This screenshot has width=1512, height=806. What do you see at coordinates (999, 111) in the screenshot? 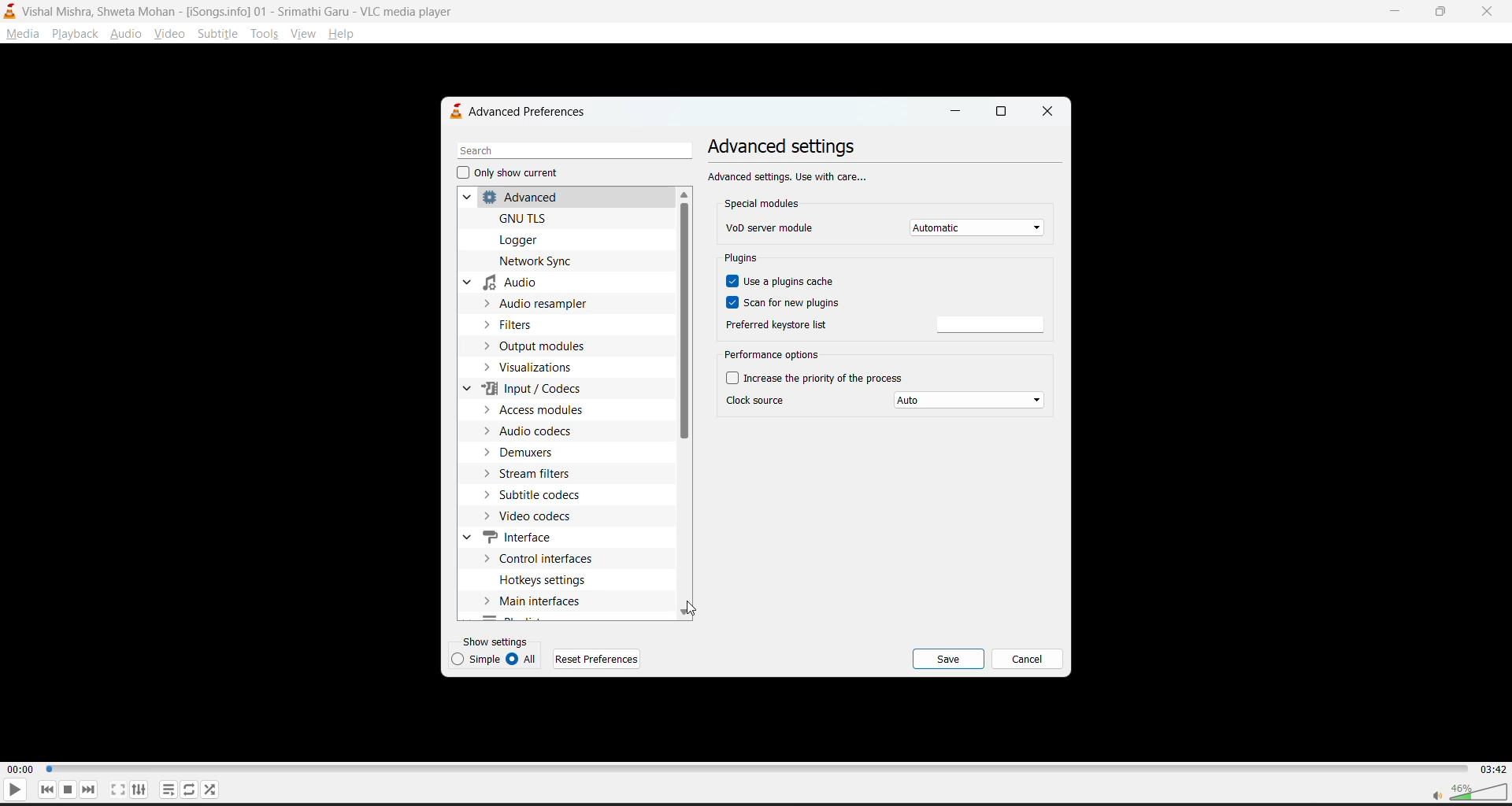
I see `maximize` at bounding box center [999, 111].